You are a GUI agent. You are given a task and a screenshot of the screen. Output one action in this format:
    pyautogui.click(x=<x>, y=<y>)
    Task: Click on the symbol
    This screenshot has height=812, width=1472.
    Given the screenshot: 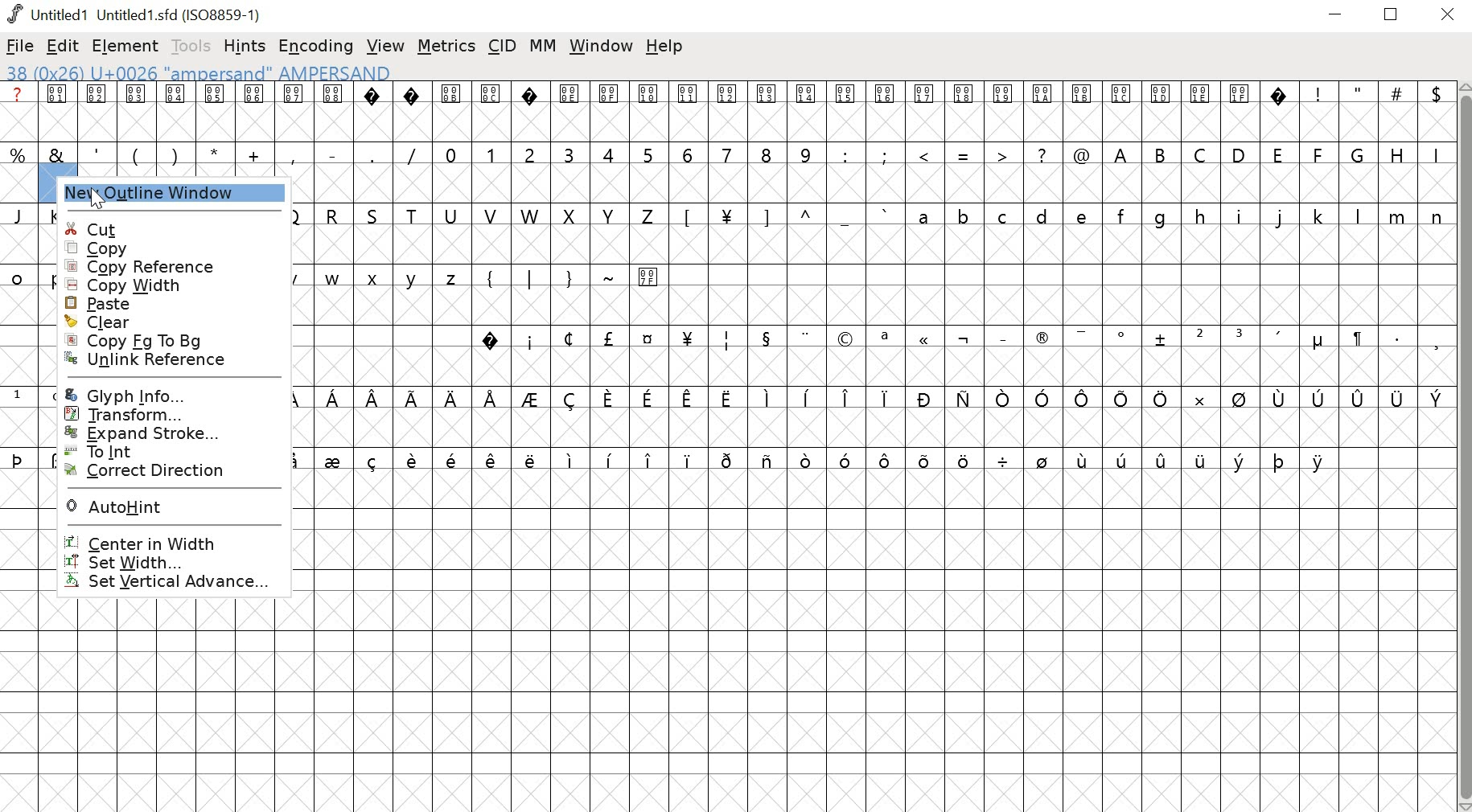 What is the action you would take?
    pyautogui.click(x=1123, y=458)
    